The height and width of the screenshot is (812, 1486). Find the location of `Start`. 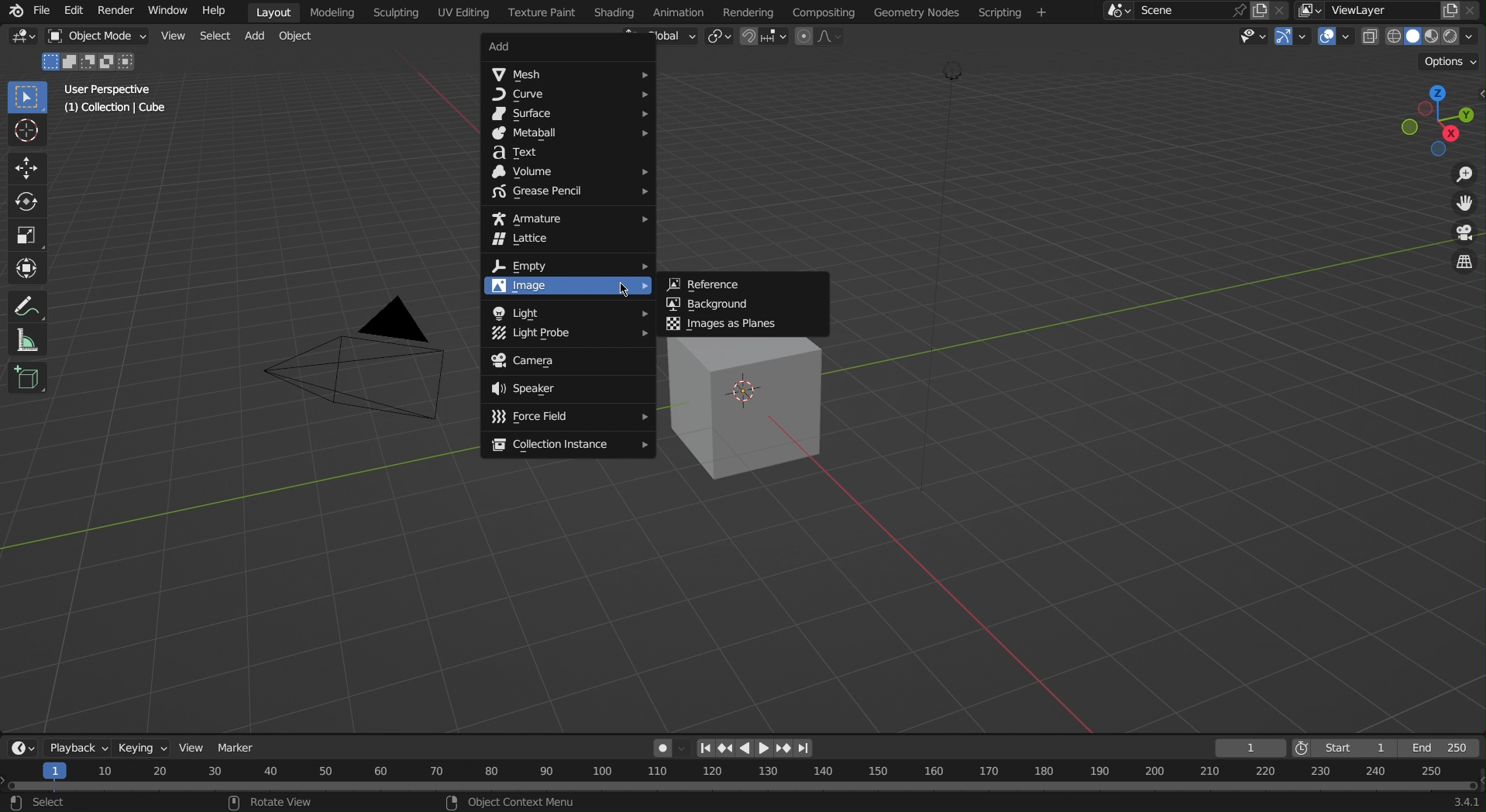

Start is located at coordinates (1340, 746).